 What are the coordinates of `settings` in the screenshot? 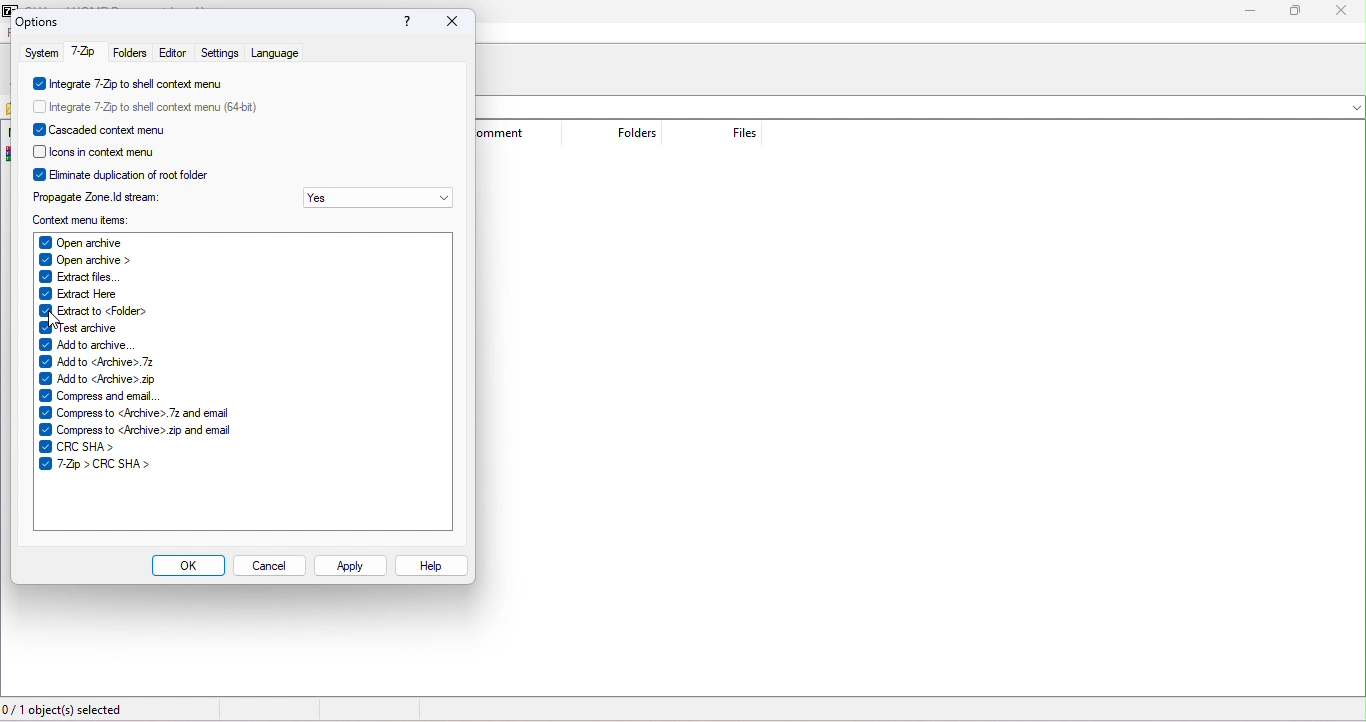 It's located at (219, 53).